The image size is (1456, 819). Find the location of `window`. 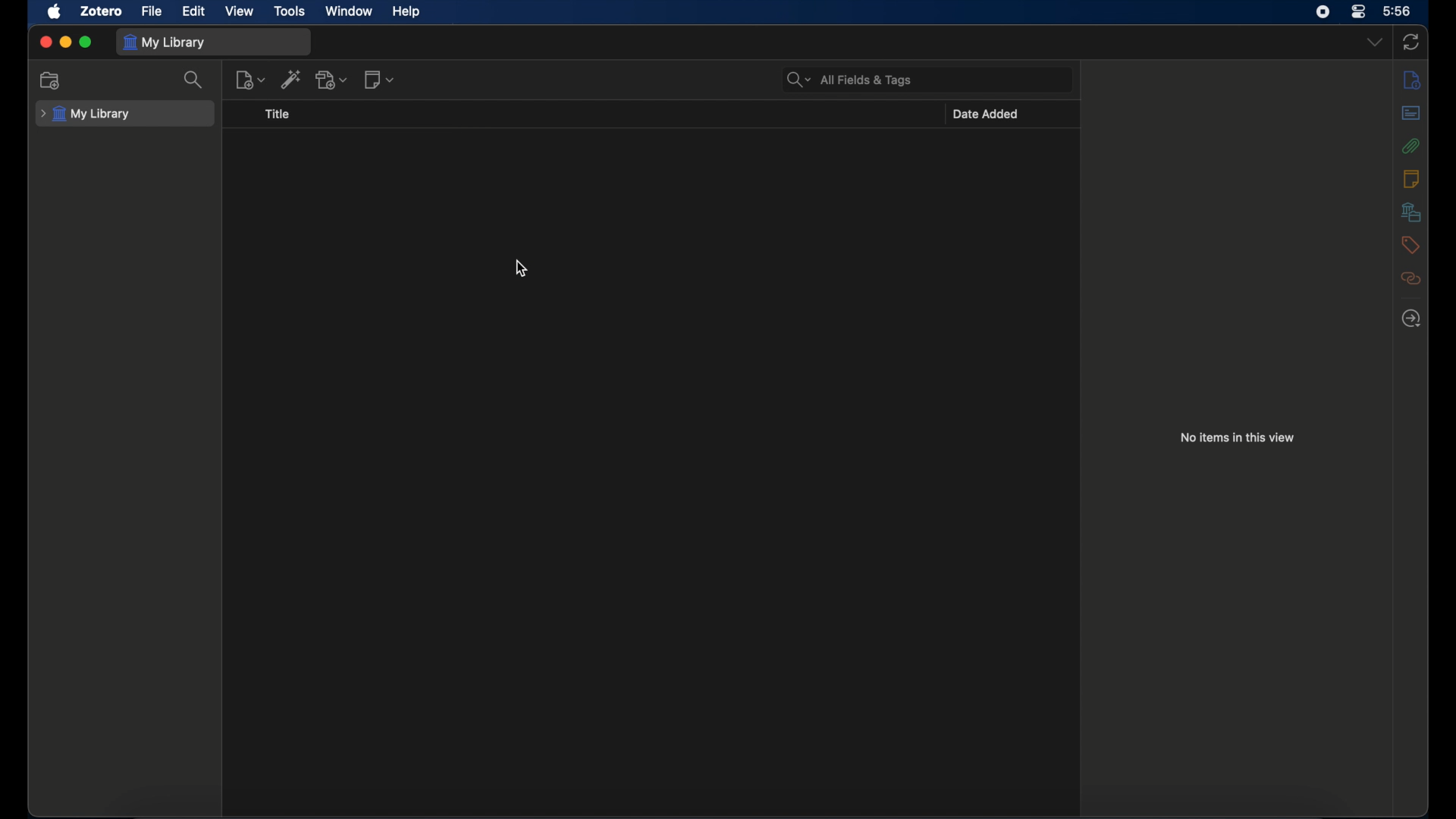

window is located at coordinates (349, 11).